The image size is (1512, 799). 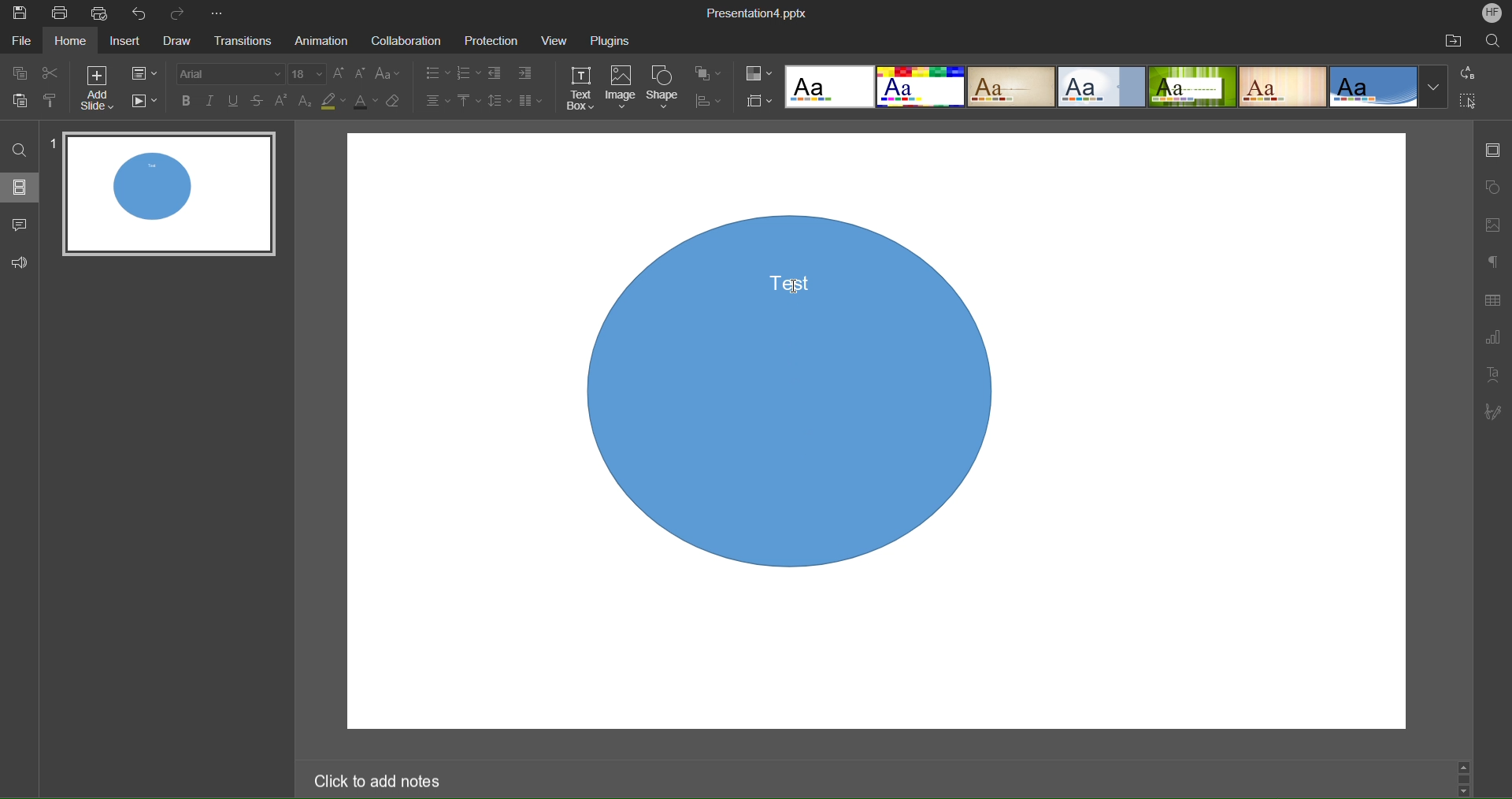 What do you see at coordinates (73, 43) in the screenshot?
I see `Home` at bounding box center [73, 43].